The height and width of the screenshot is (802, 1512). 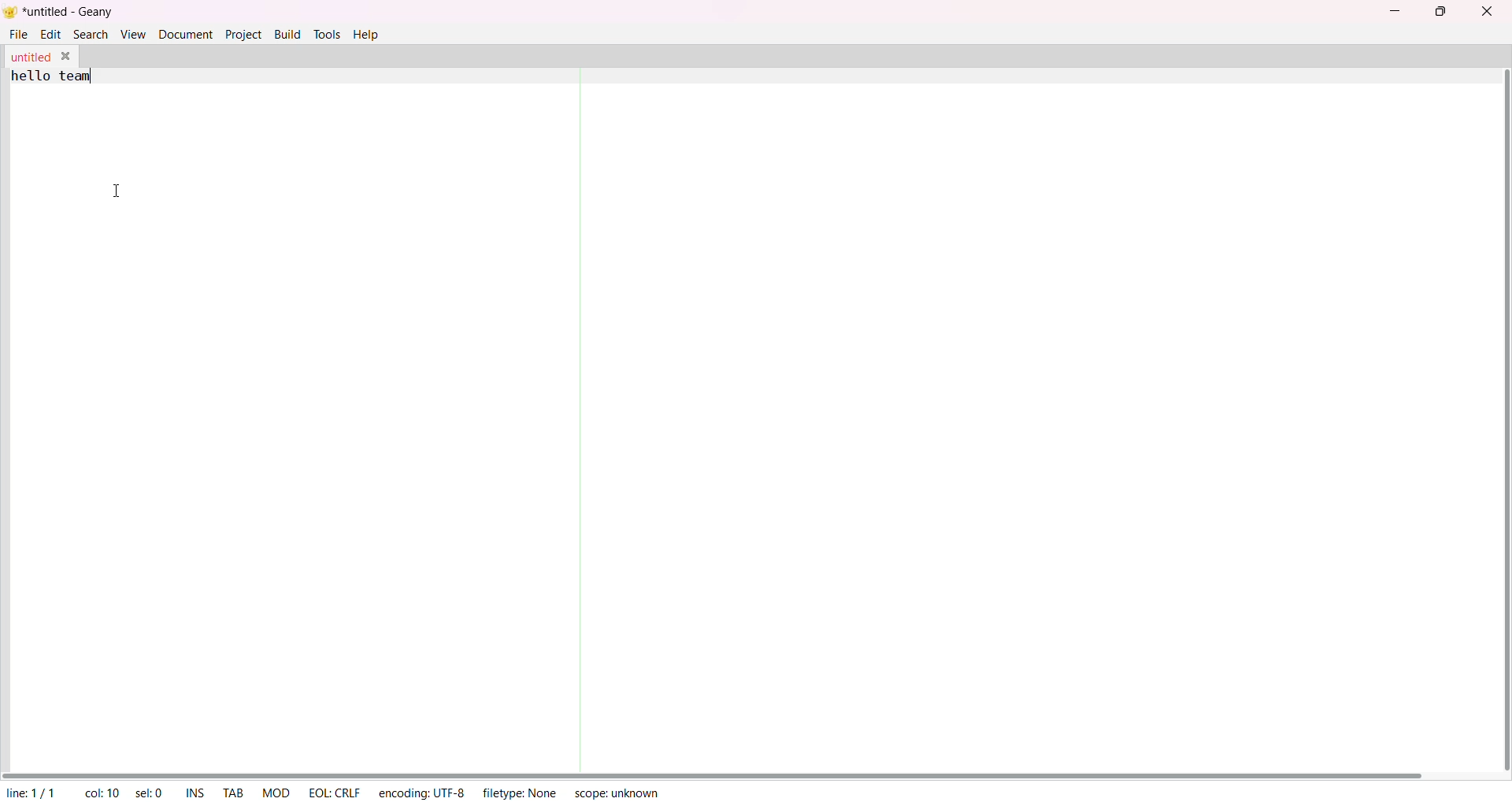 I want to click on minimize, so click(x=1393, y=13).